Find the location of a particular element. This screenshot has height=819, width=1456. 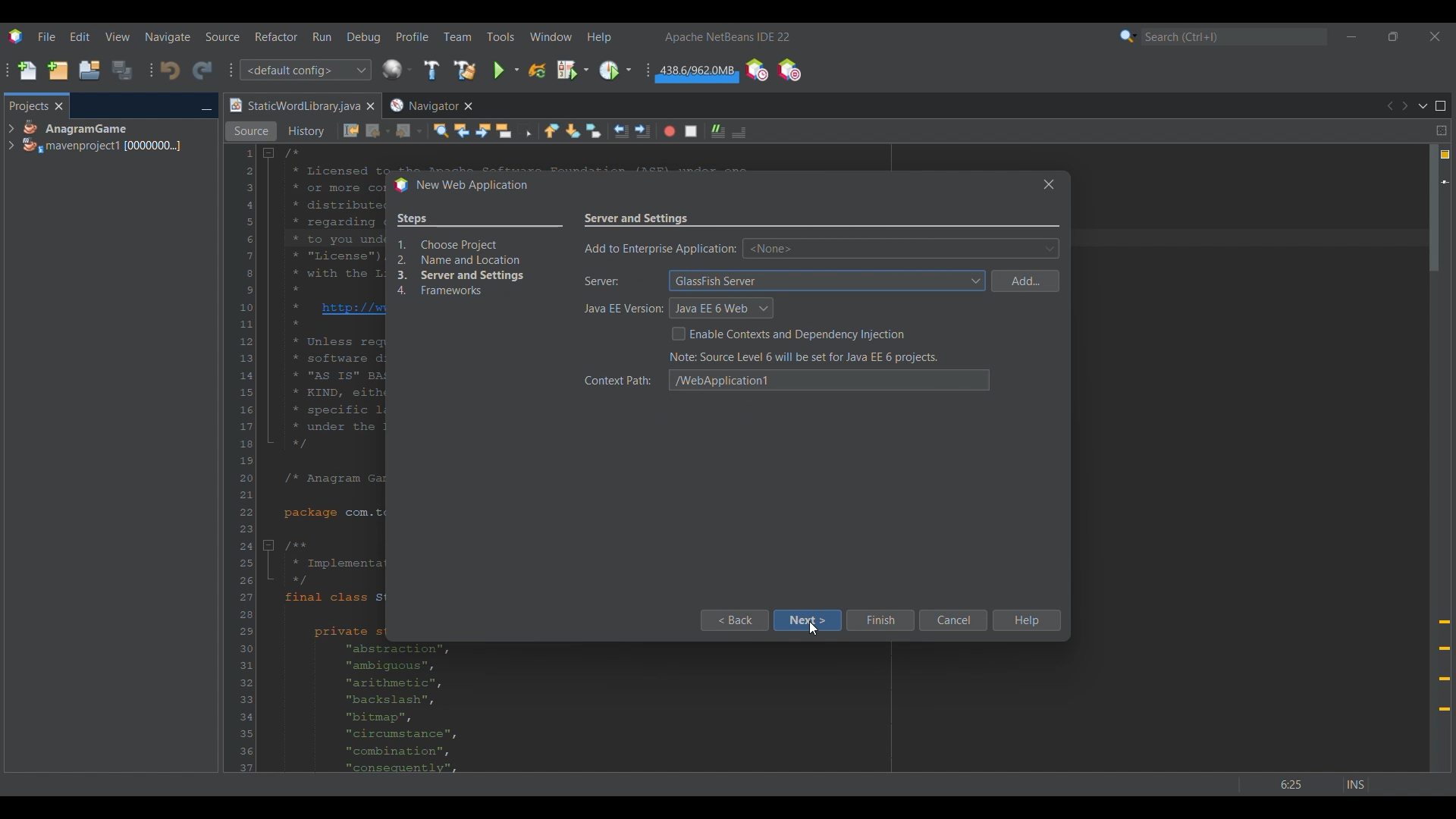

Profile IDE is located at coordinates (756, 71).